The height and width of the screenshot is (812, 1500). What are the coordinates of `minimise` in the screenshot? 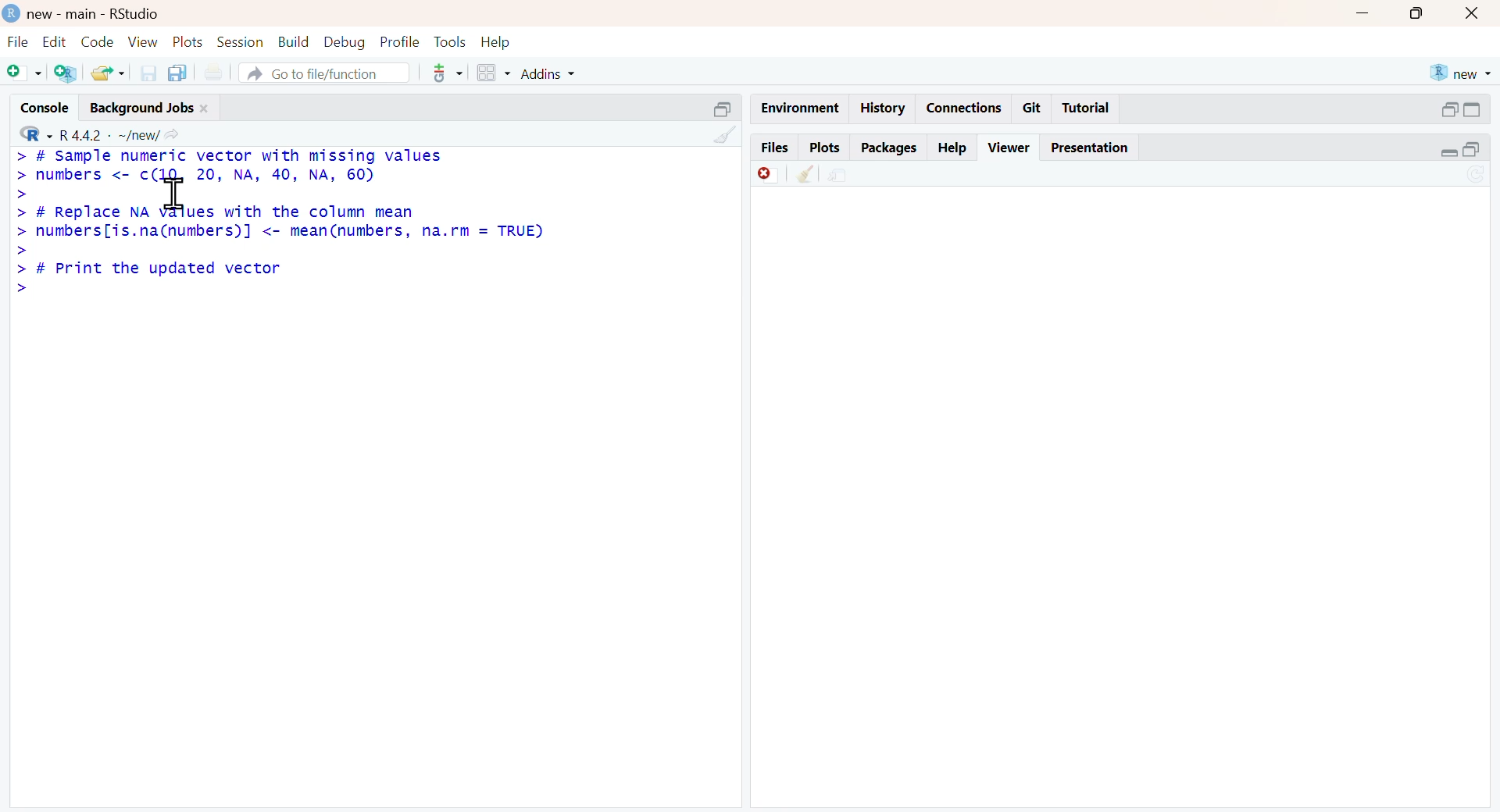 It's located at (1364, 12).